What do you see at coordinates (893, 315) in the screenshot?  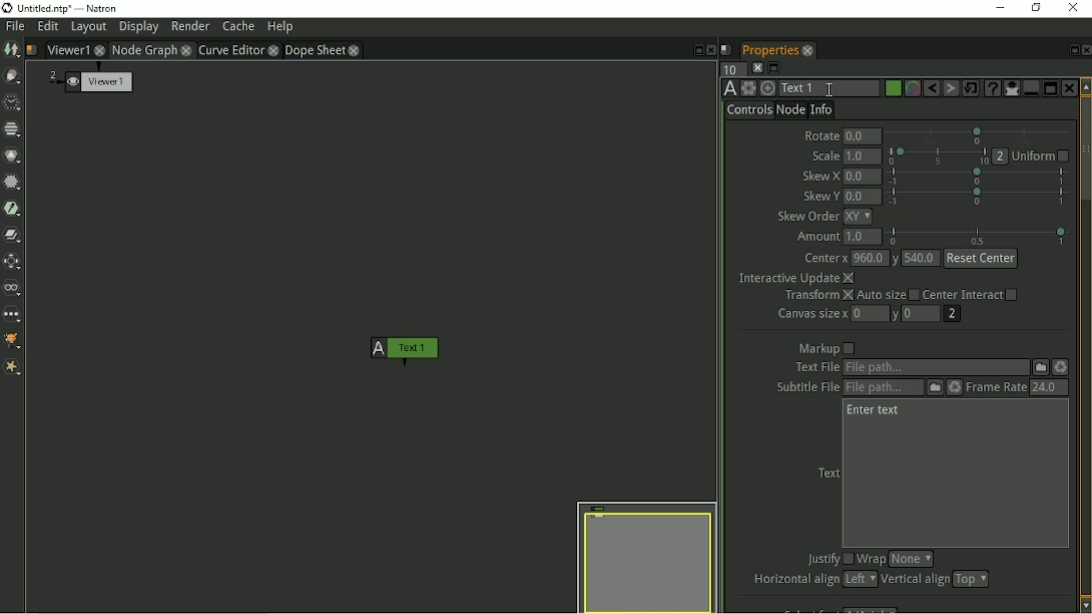 I see `y` at bounding box center [893, 315].